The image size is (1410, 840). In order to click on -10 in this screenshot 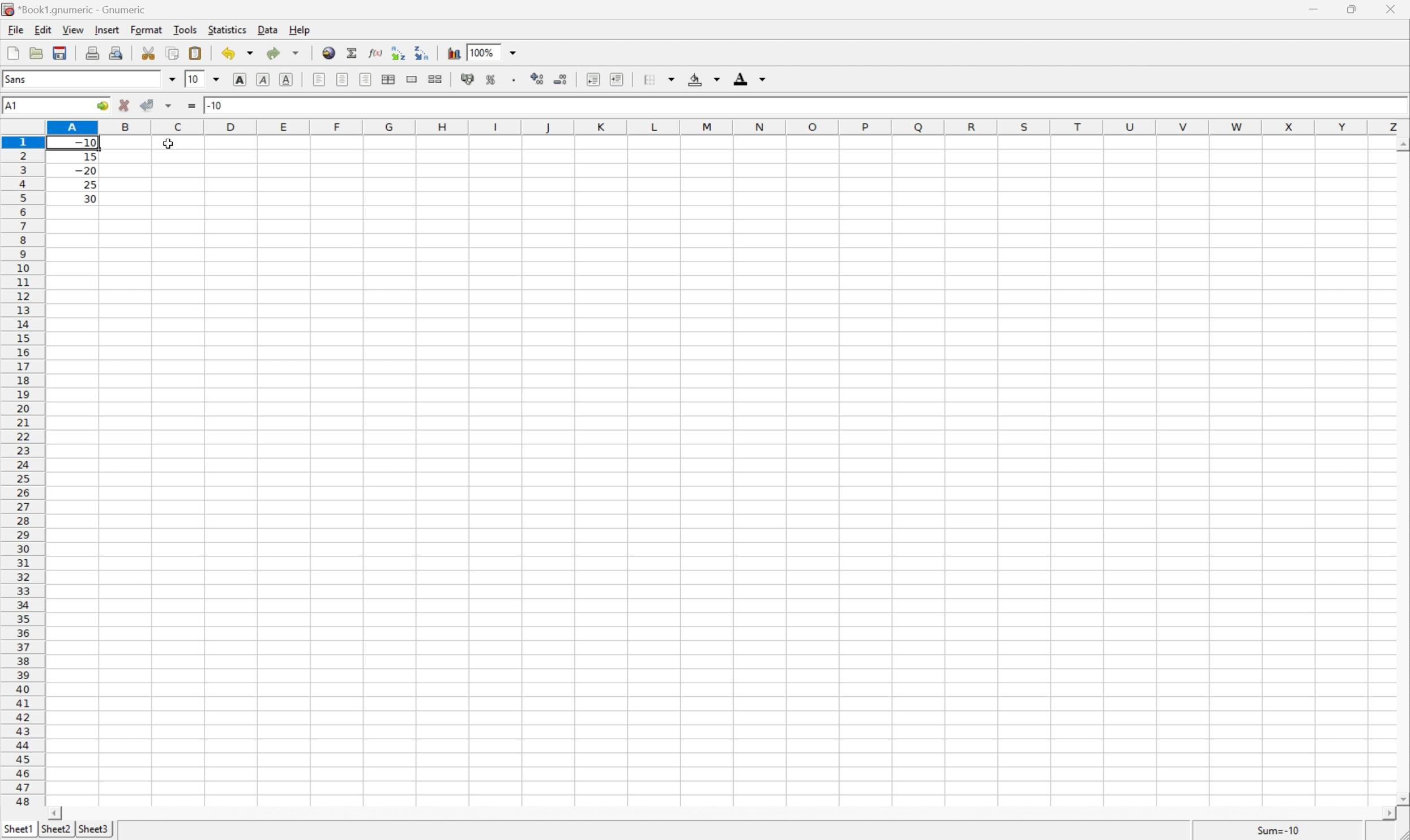, I will do `click(86, 141)`.